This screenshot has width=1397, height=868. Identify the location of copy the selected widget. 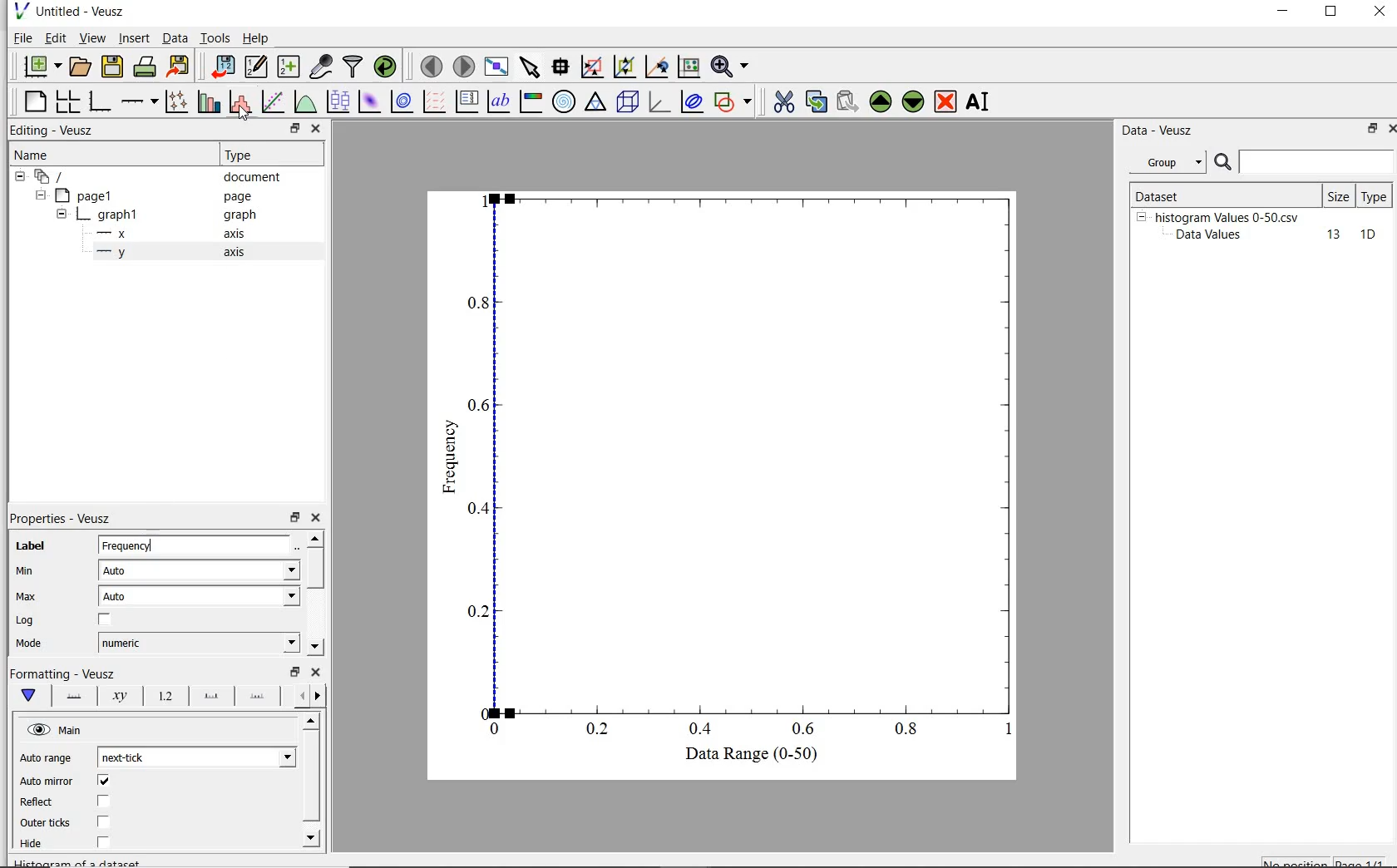
(815, 104).